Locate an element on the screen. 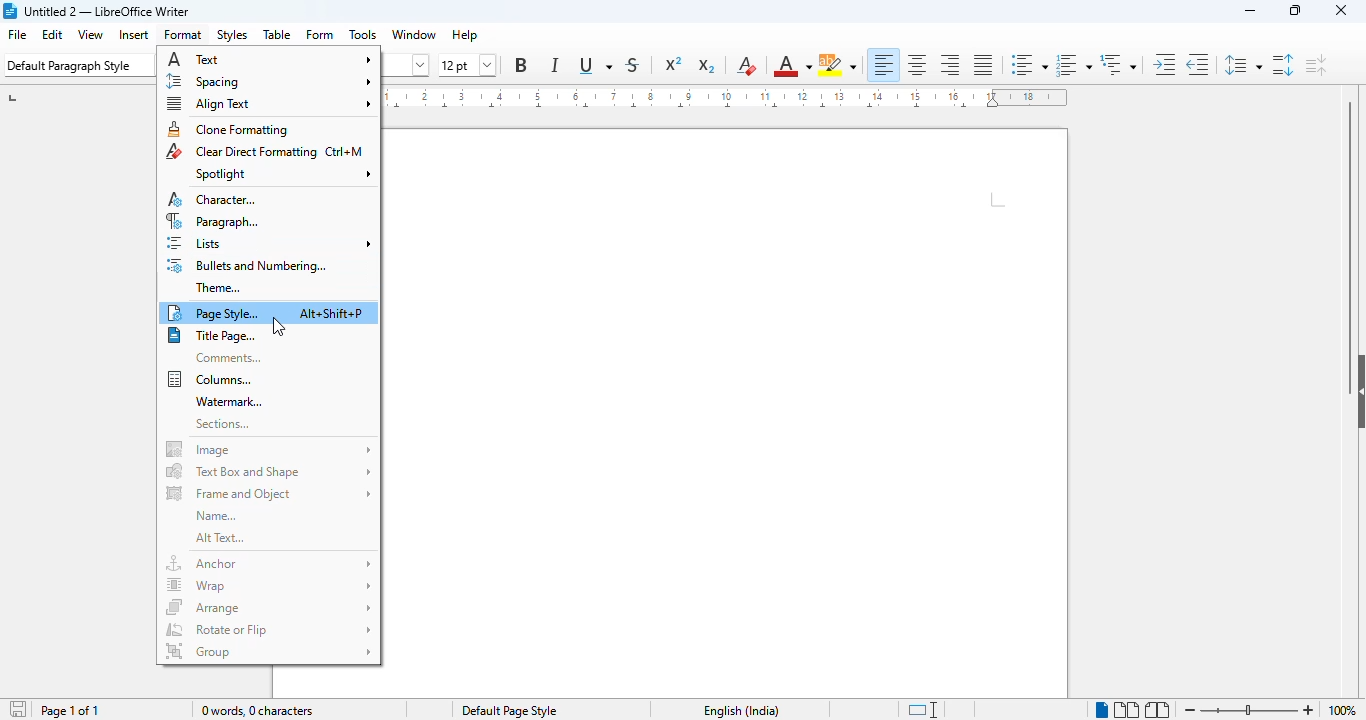 The height and width of the screenshot is (720, 1366). alt text is located at coordinates (219, 538).